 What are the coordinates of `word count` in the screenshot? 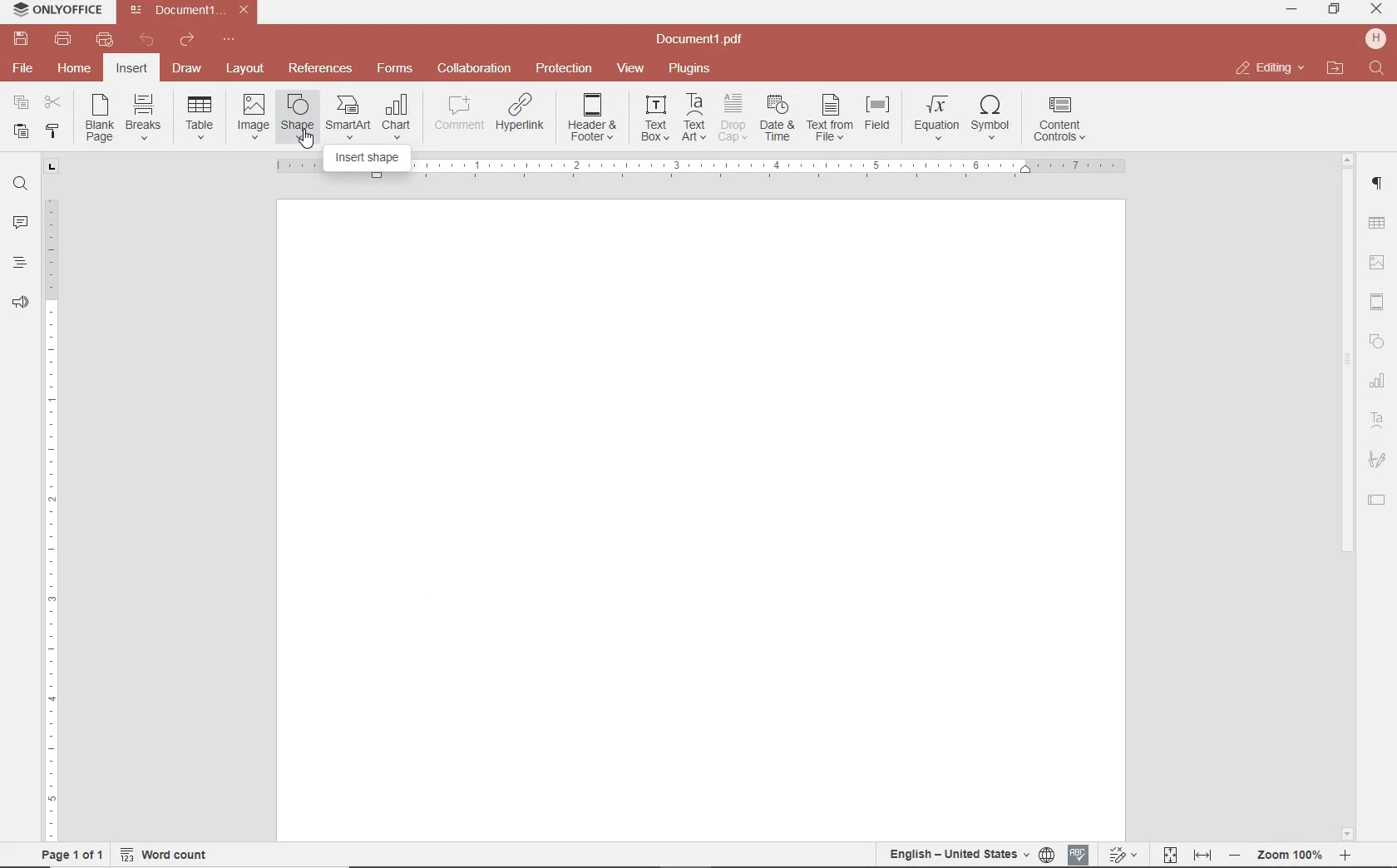 It's located at (170, 855).